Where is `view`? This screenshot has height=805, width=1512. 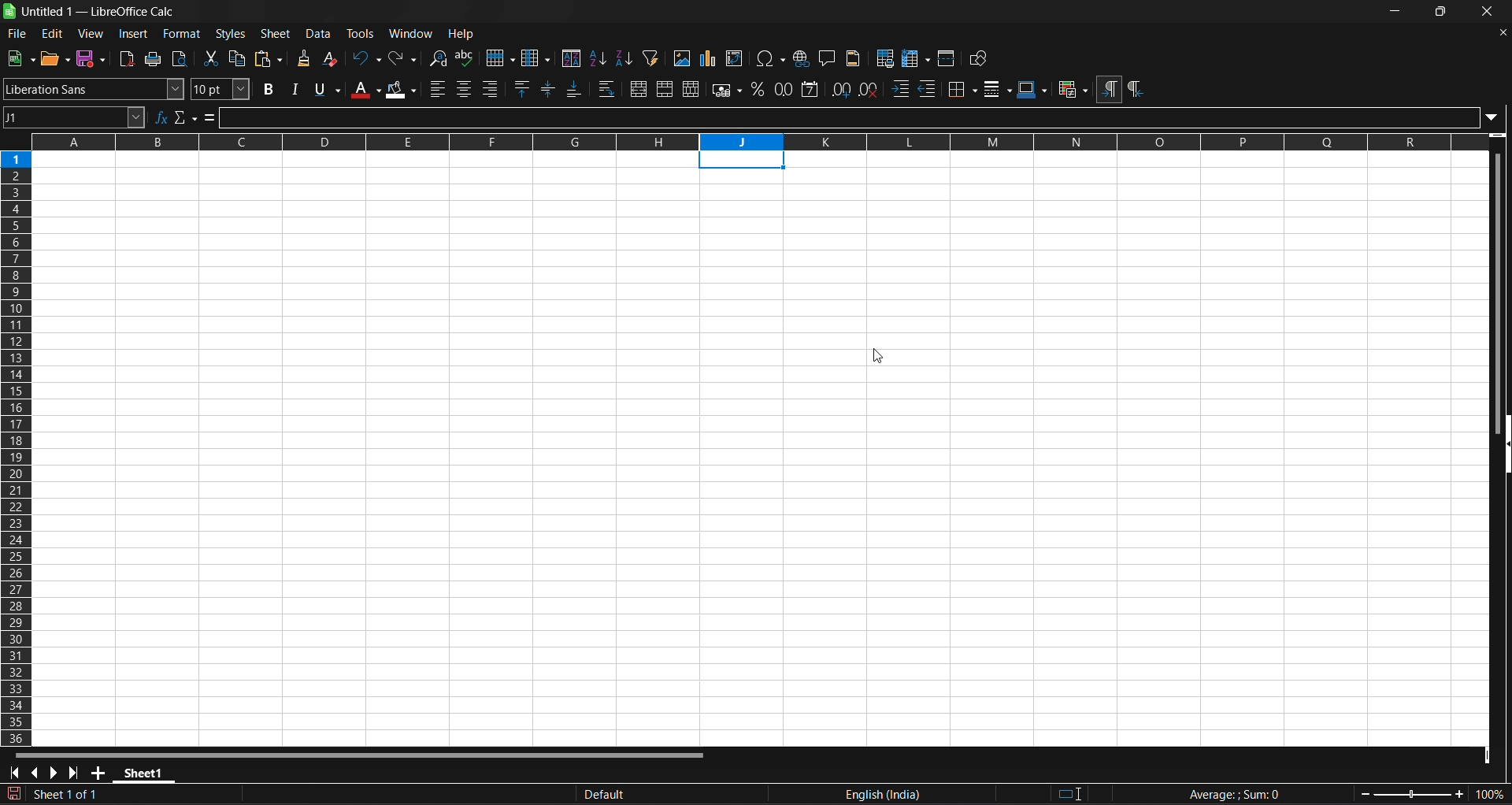 view is located at coordinates (89, 32).